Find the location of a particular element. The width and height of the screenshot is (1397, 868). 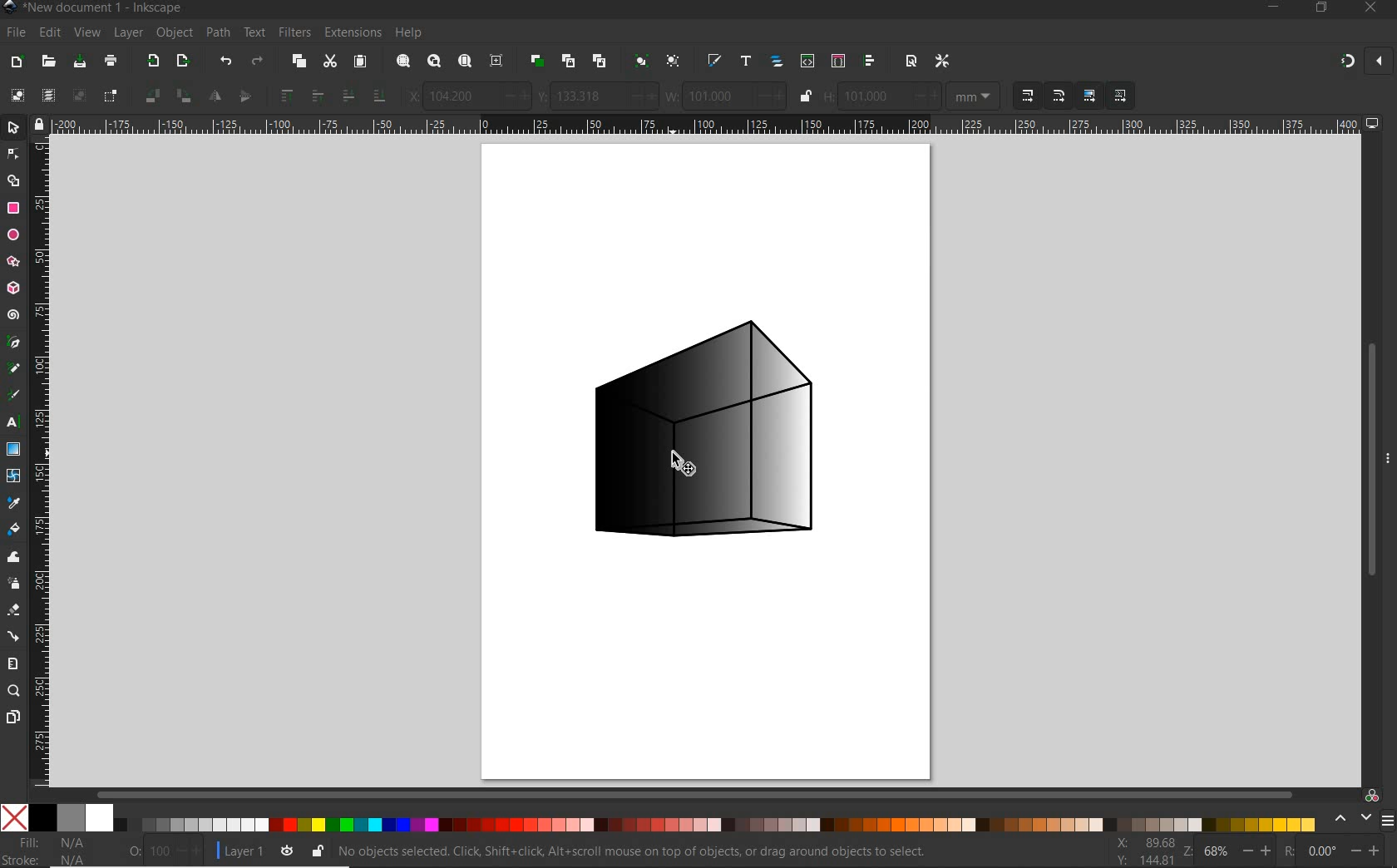

DESELECT ANY SELECTED OBJECT is located at coordinates (78, 96).